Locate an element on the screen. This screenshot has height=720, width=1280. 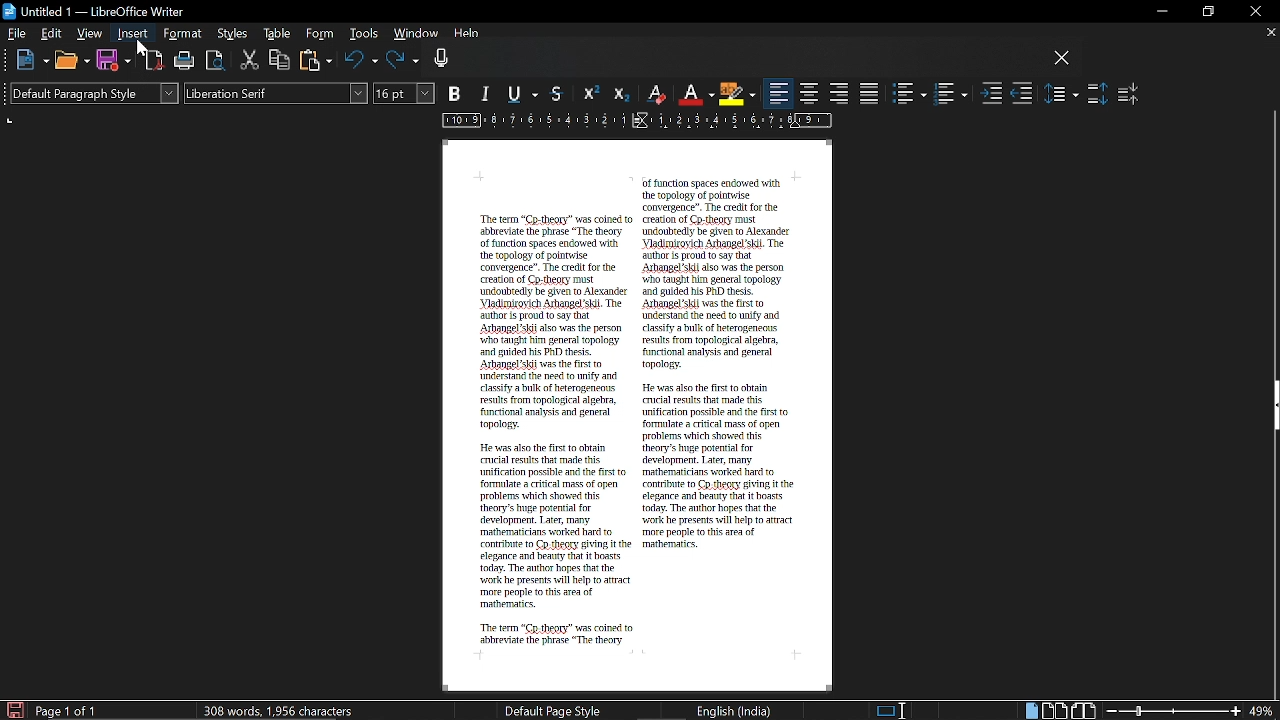
Insert is located at coordinates (134, 34).